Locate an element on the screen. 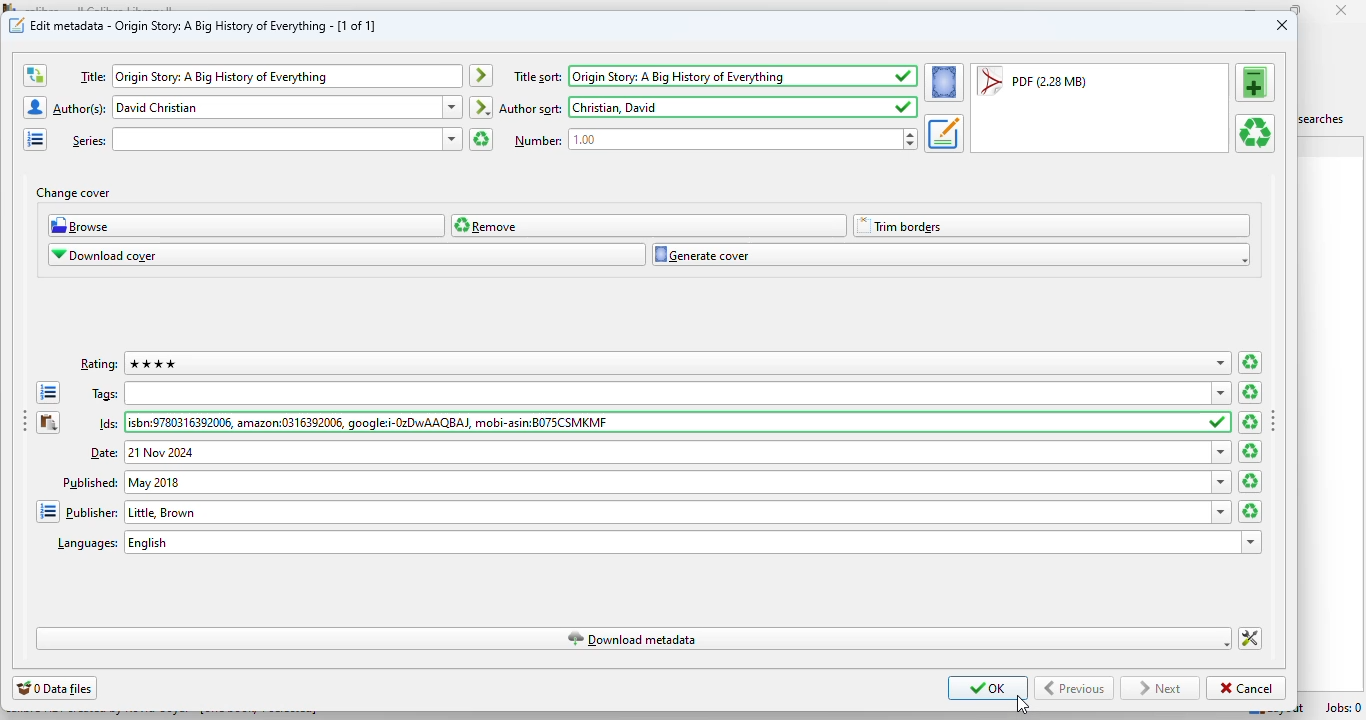 The image size is (1366, 720). text is located at coordinates (87, 545).